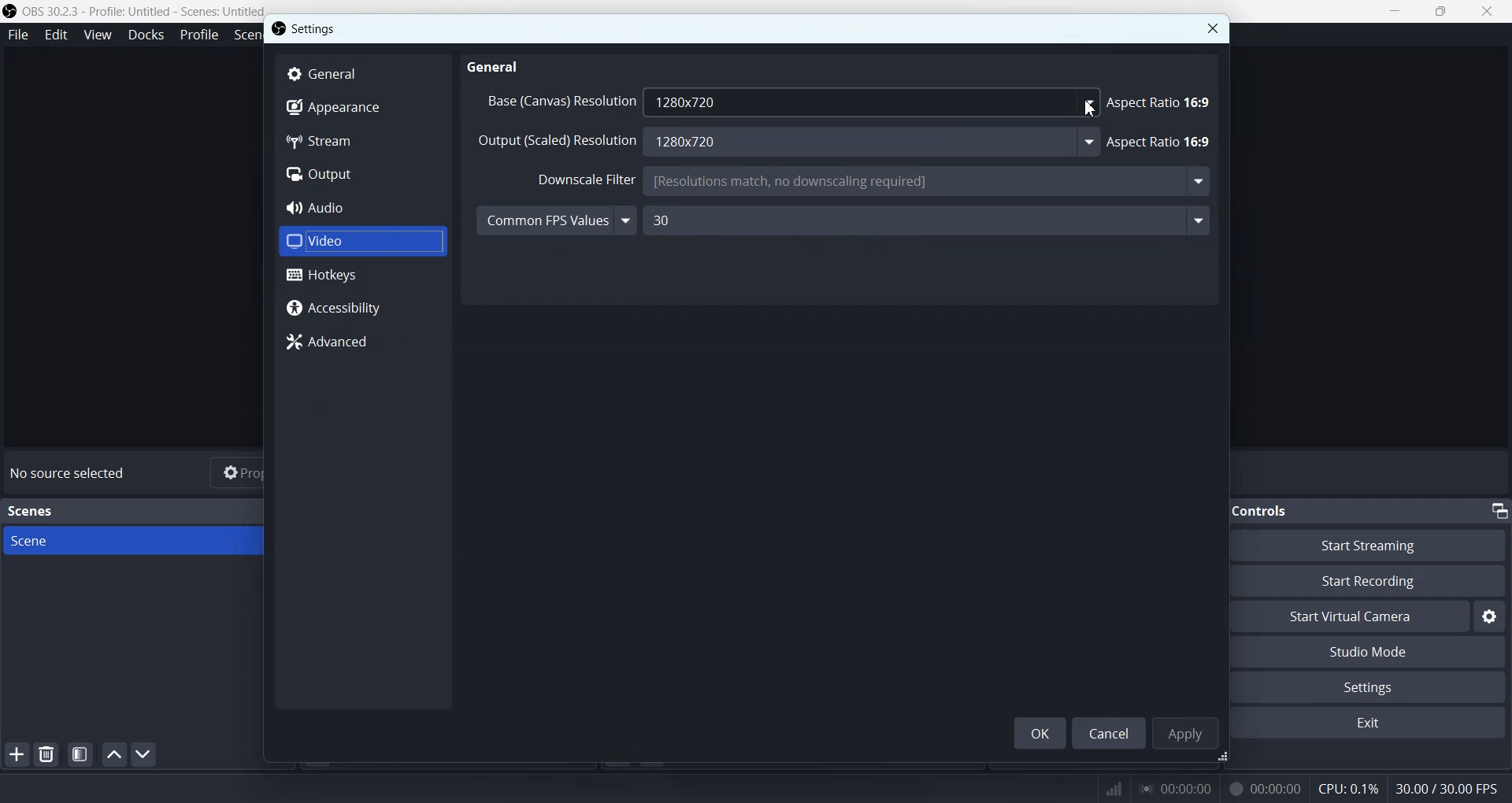 The image size is (1512, 803). I want to click on Settings, so click(317, 28).